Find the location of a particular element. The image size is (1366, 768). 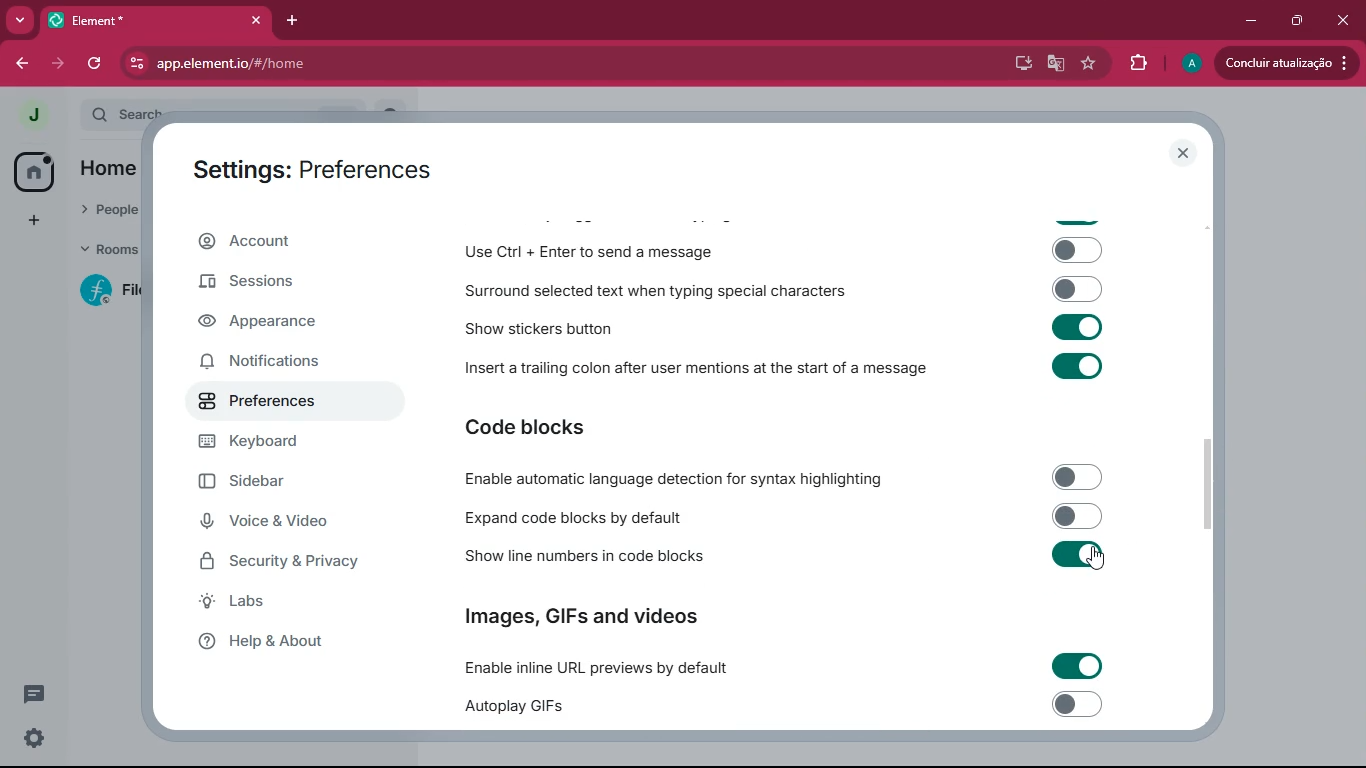

settings is located at coordinates (34, 738).